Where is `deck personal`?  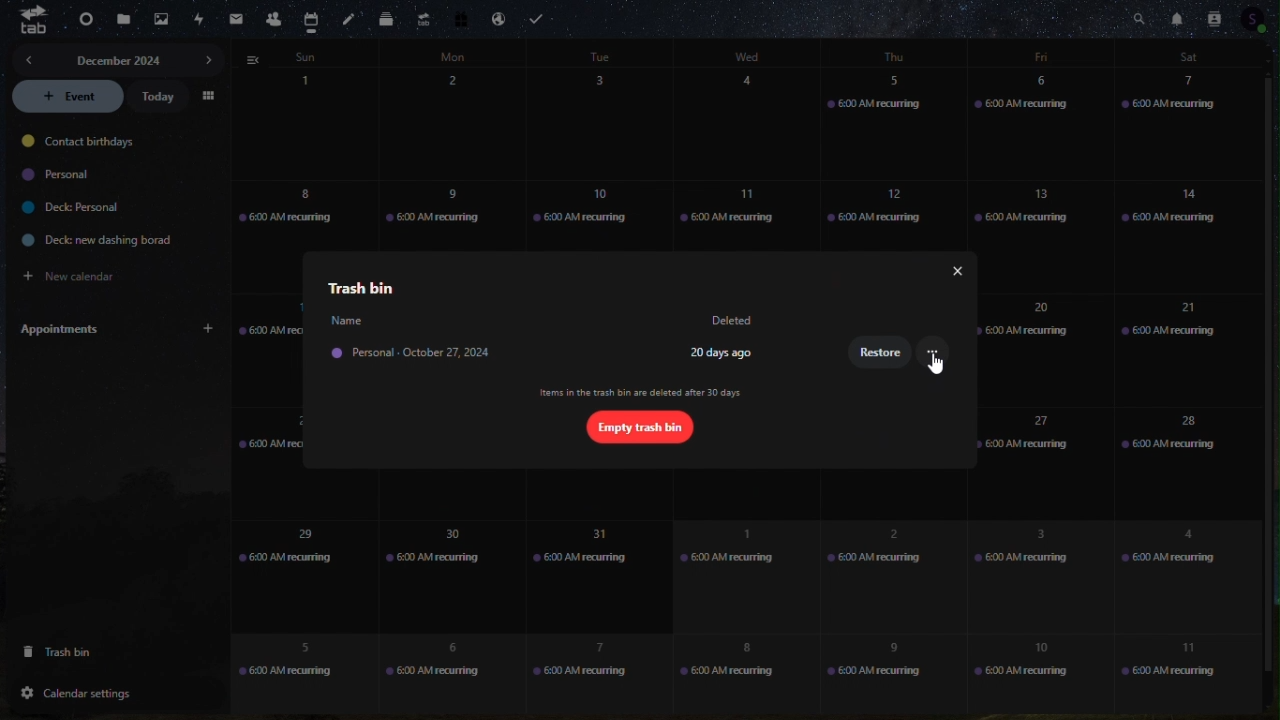
deck personal is located at coordinates (69, 208).